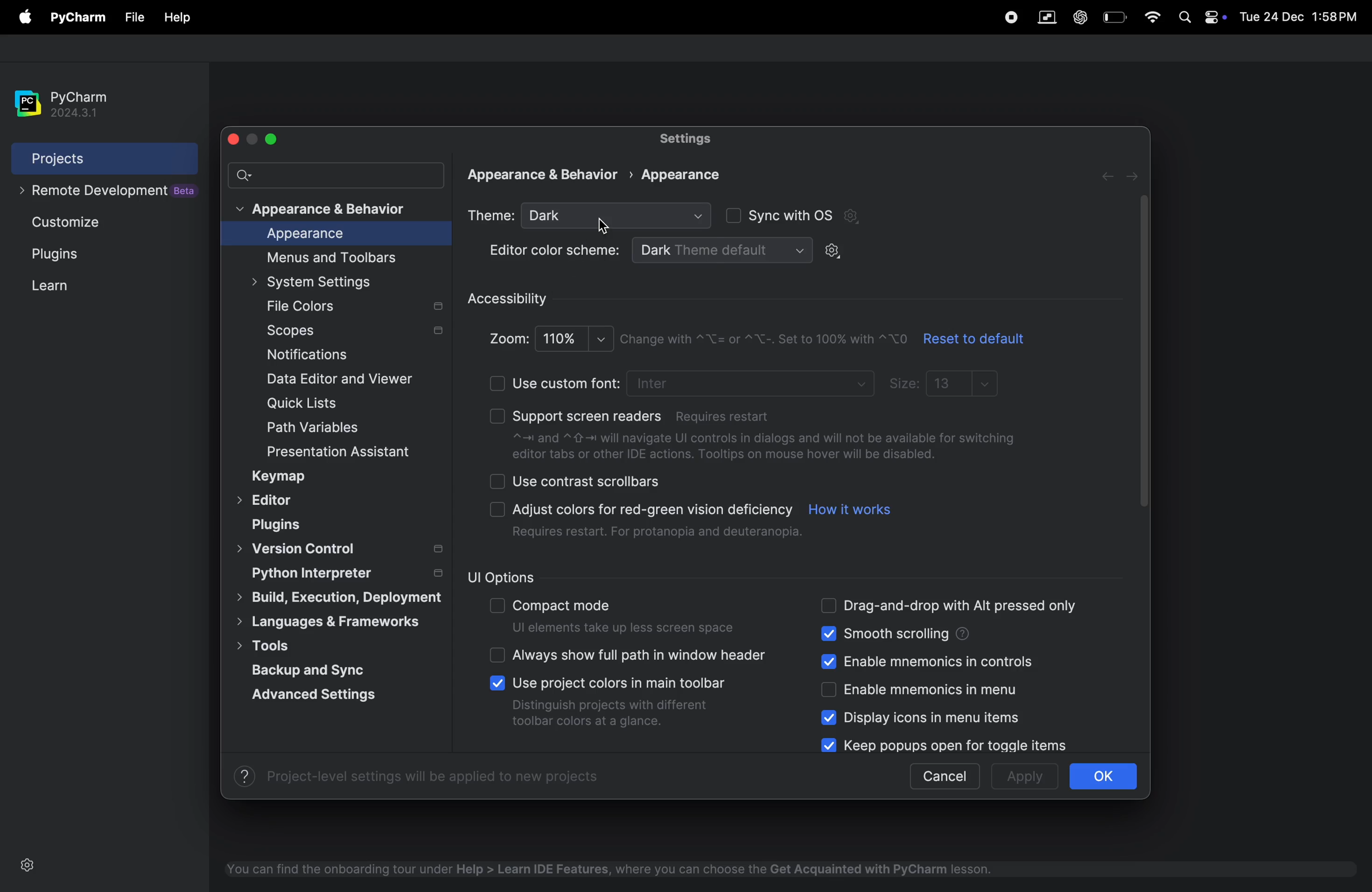 Image resolution: width=1372 pixels, height=892 pixels. What do you see at coordinates (1132, 176) in the screenshot?
I see `next` at bounding box center [1132, 176].